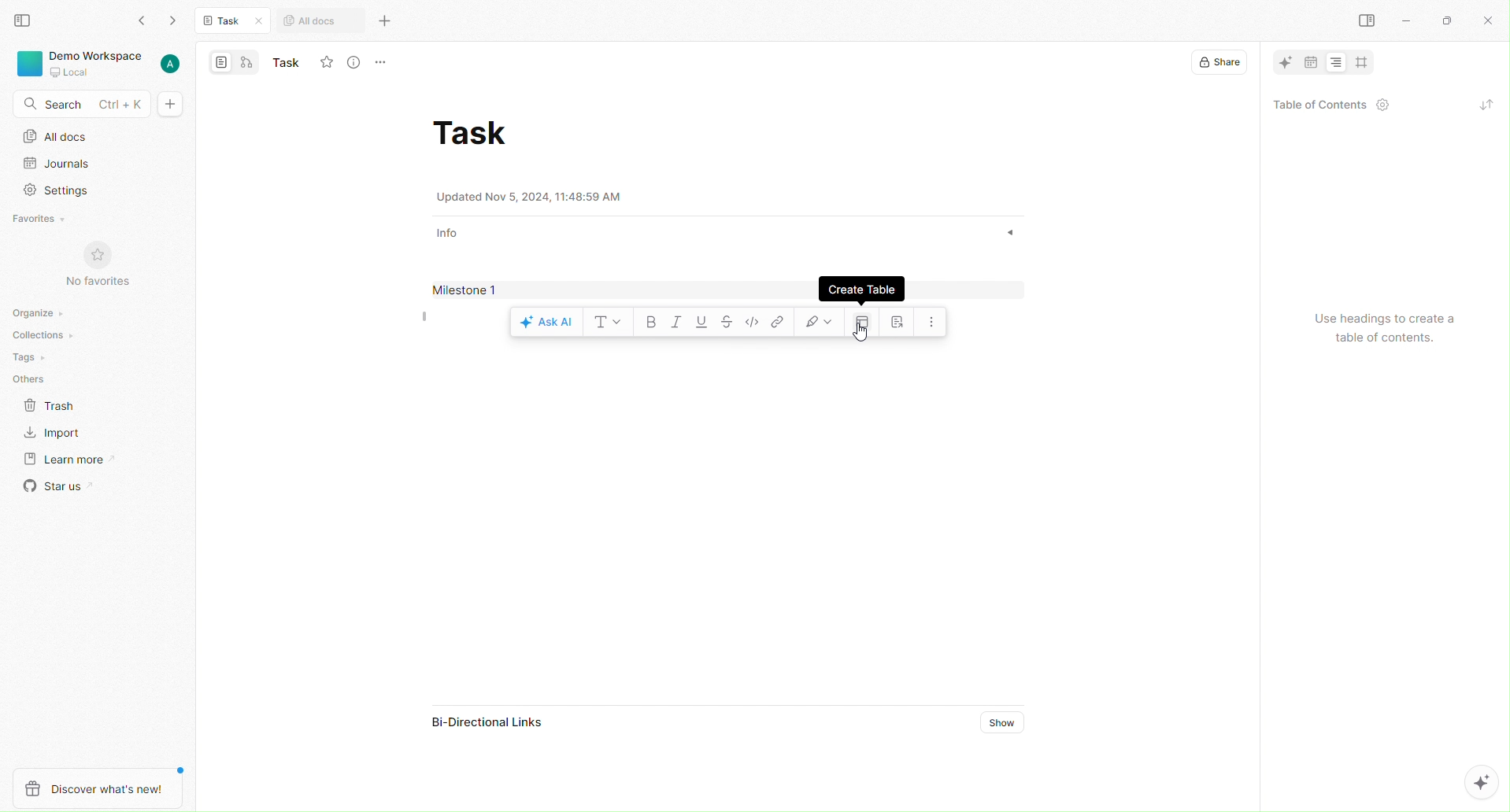 The height and width of the screenshot is (812, 1510). What do you see at coordinates (172, 64) in the screenshot?
I see `User account` at bounding box center [172, 64].